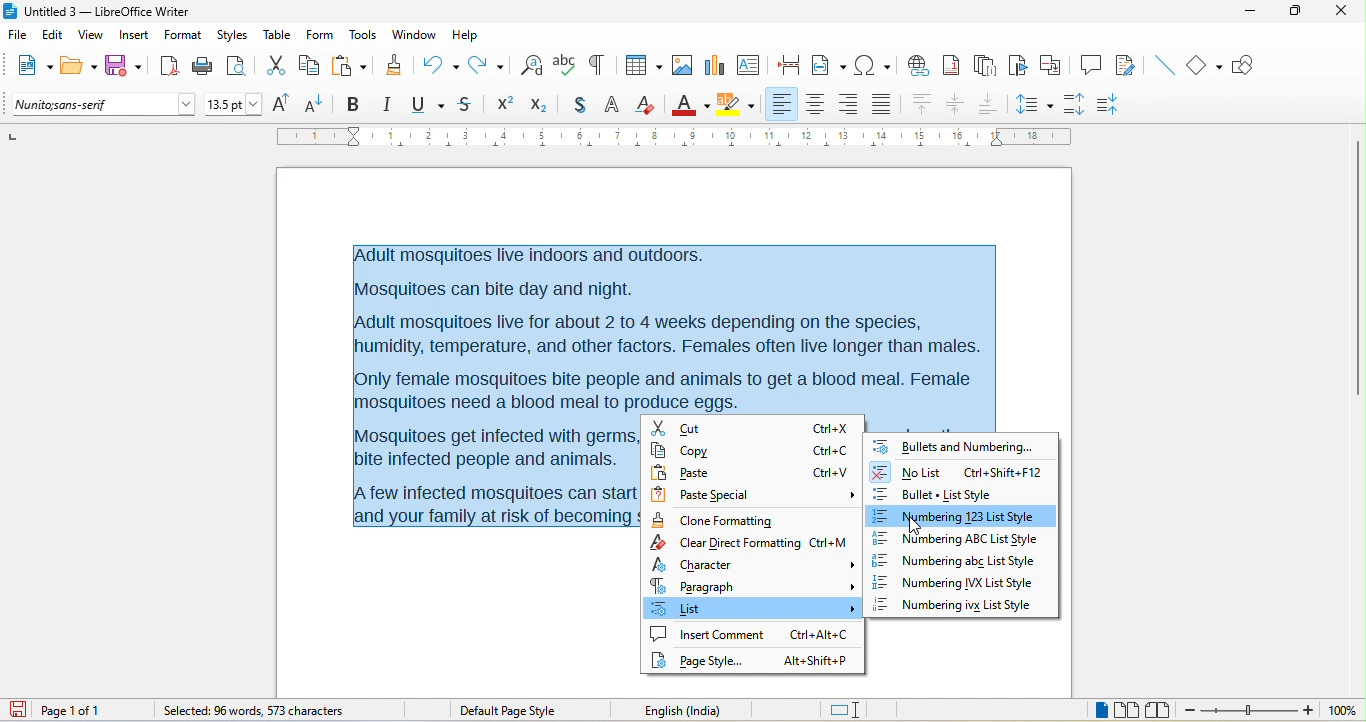 This screenshot has width=1366, height=722. I want to click on insert, so click(132, 34).